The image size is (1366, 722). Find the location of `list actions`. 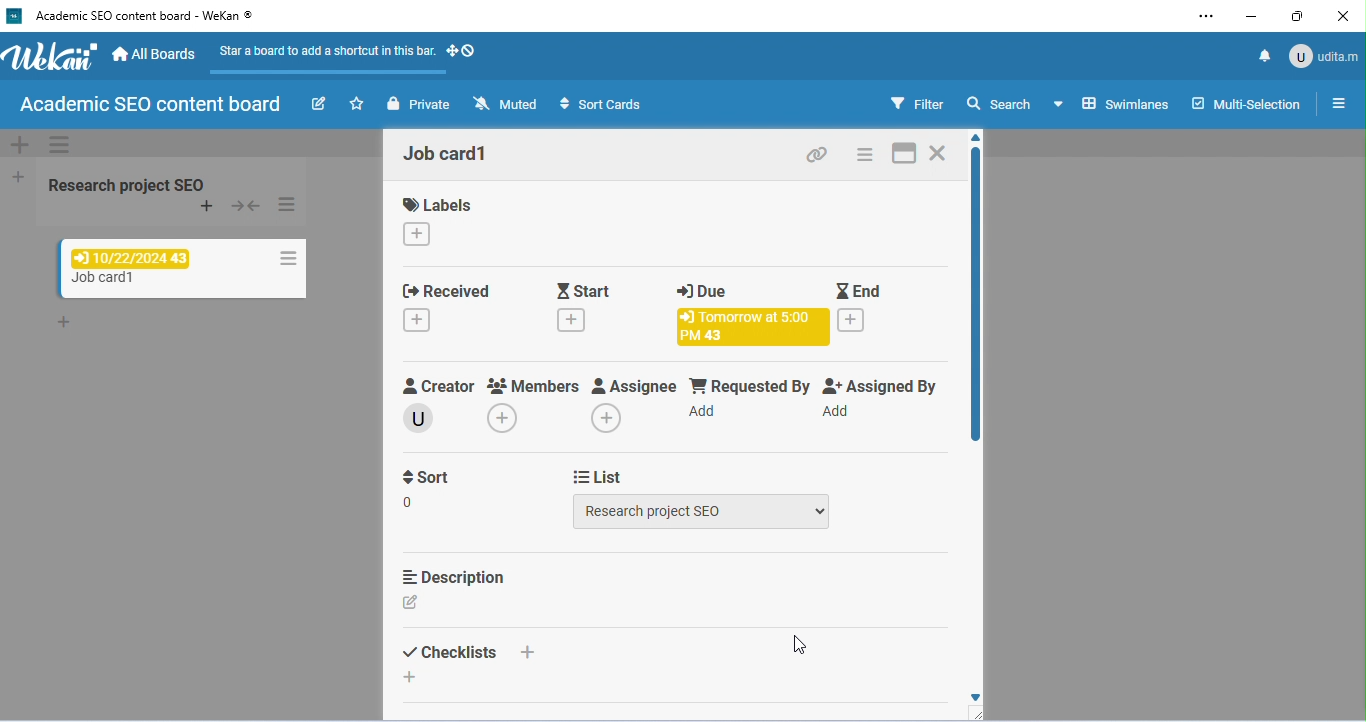

list actions is located at coordinates (289, 205).